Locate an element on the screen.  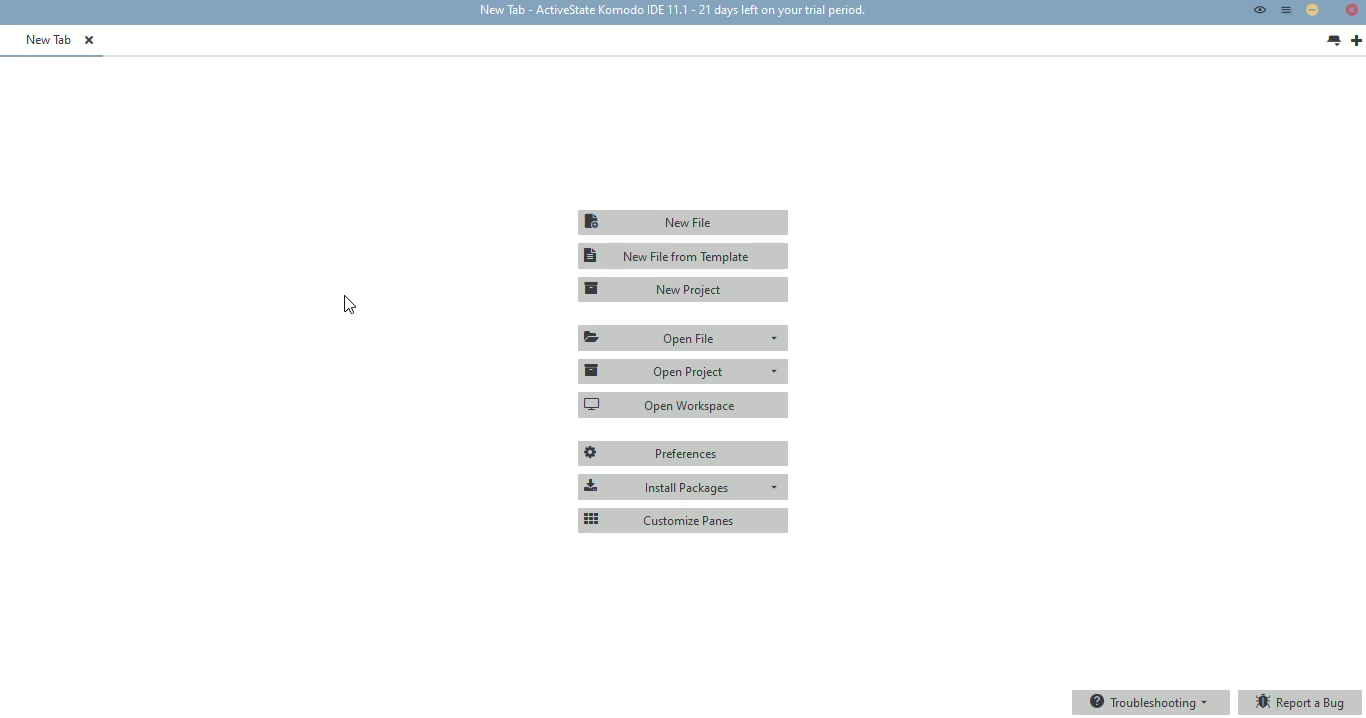
new project is located at coordinates (683, 289).